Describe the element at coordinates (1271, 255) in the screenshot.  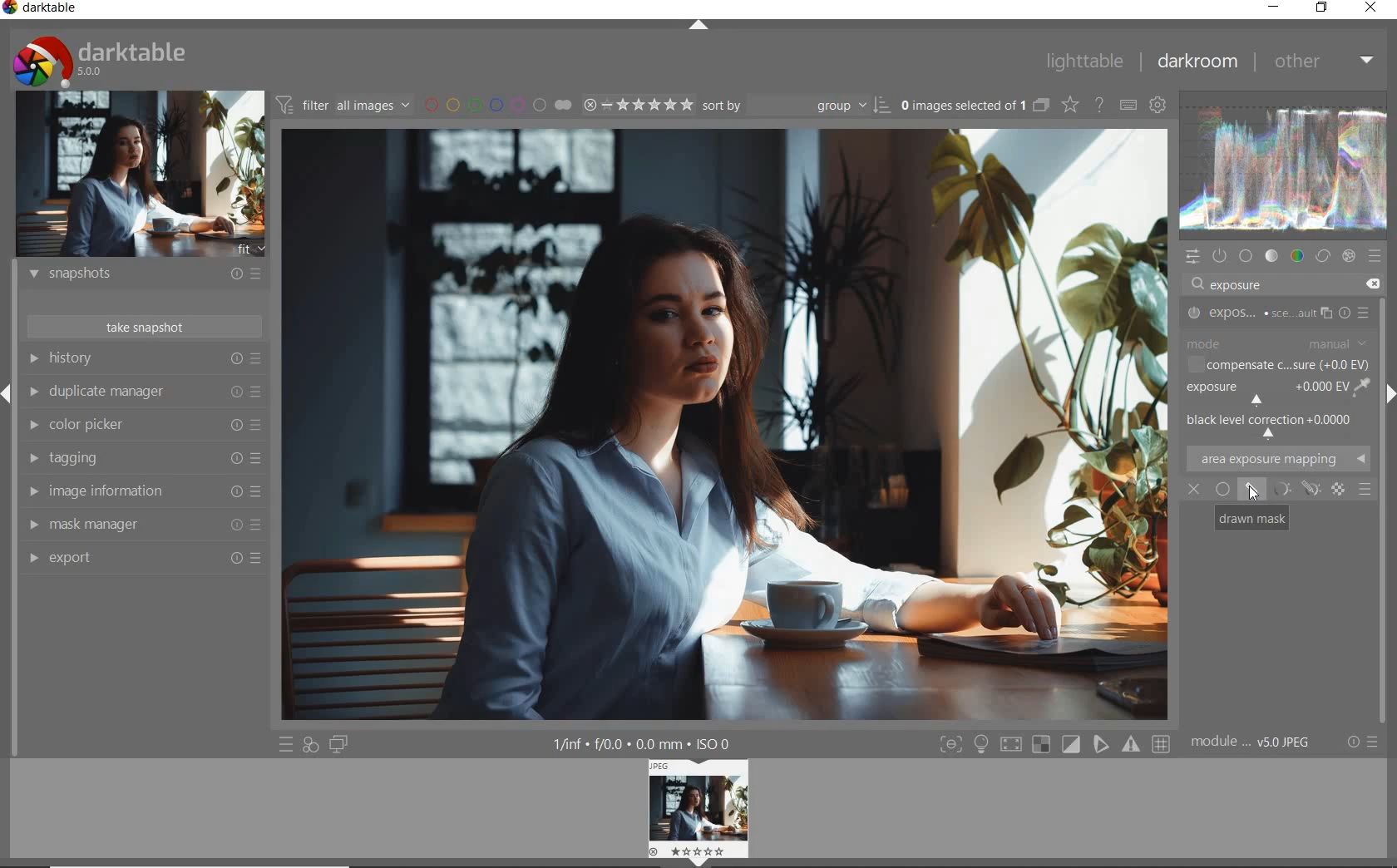
I see `tone` at that location.